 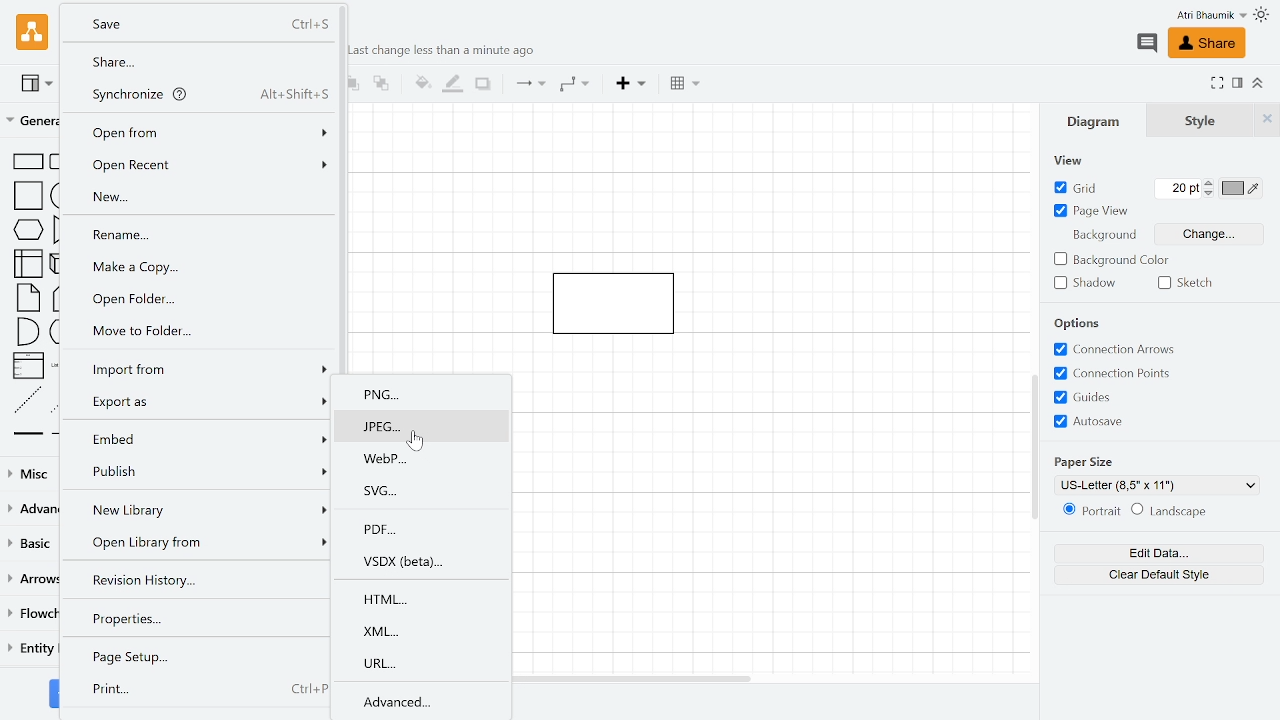 I want to click on HTML, so click(x=426, y=600).